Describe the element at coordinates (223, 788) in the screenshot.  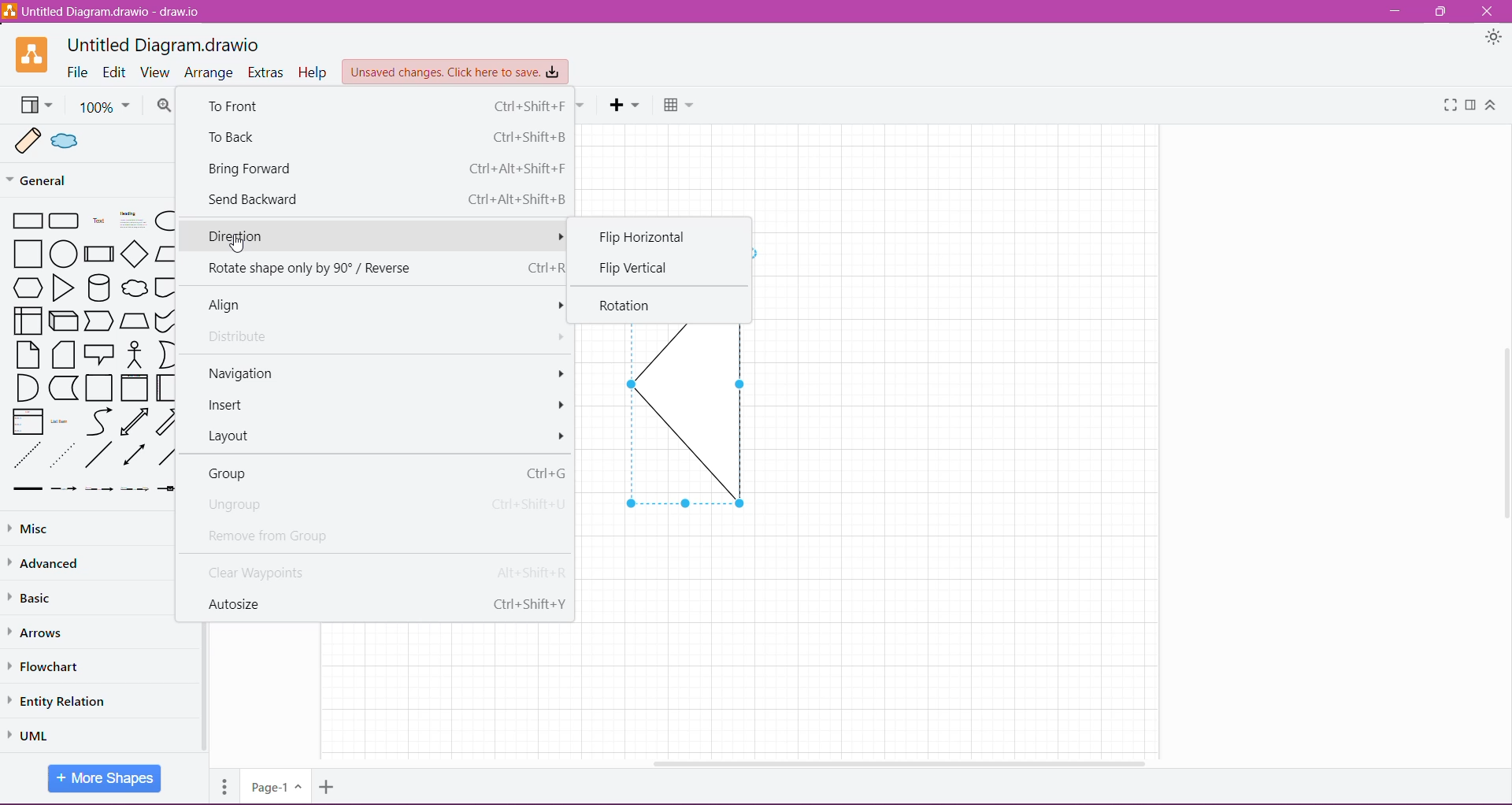
I see `Pages` at that location.